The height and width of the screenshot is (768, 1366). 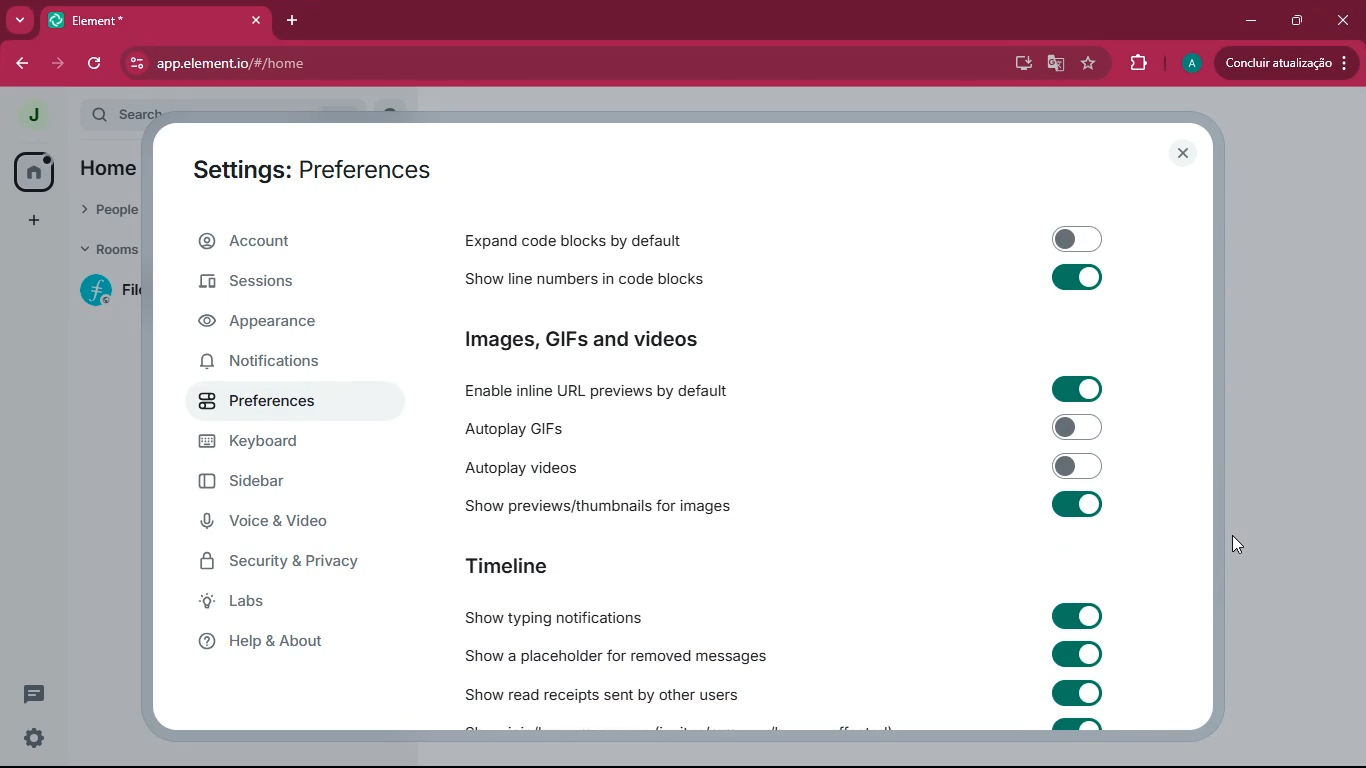 What do you see at coordinates (1022, 65) in the screenshot?
I see `desktop` at bounding box center [1022, 65].